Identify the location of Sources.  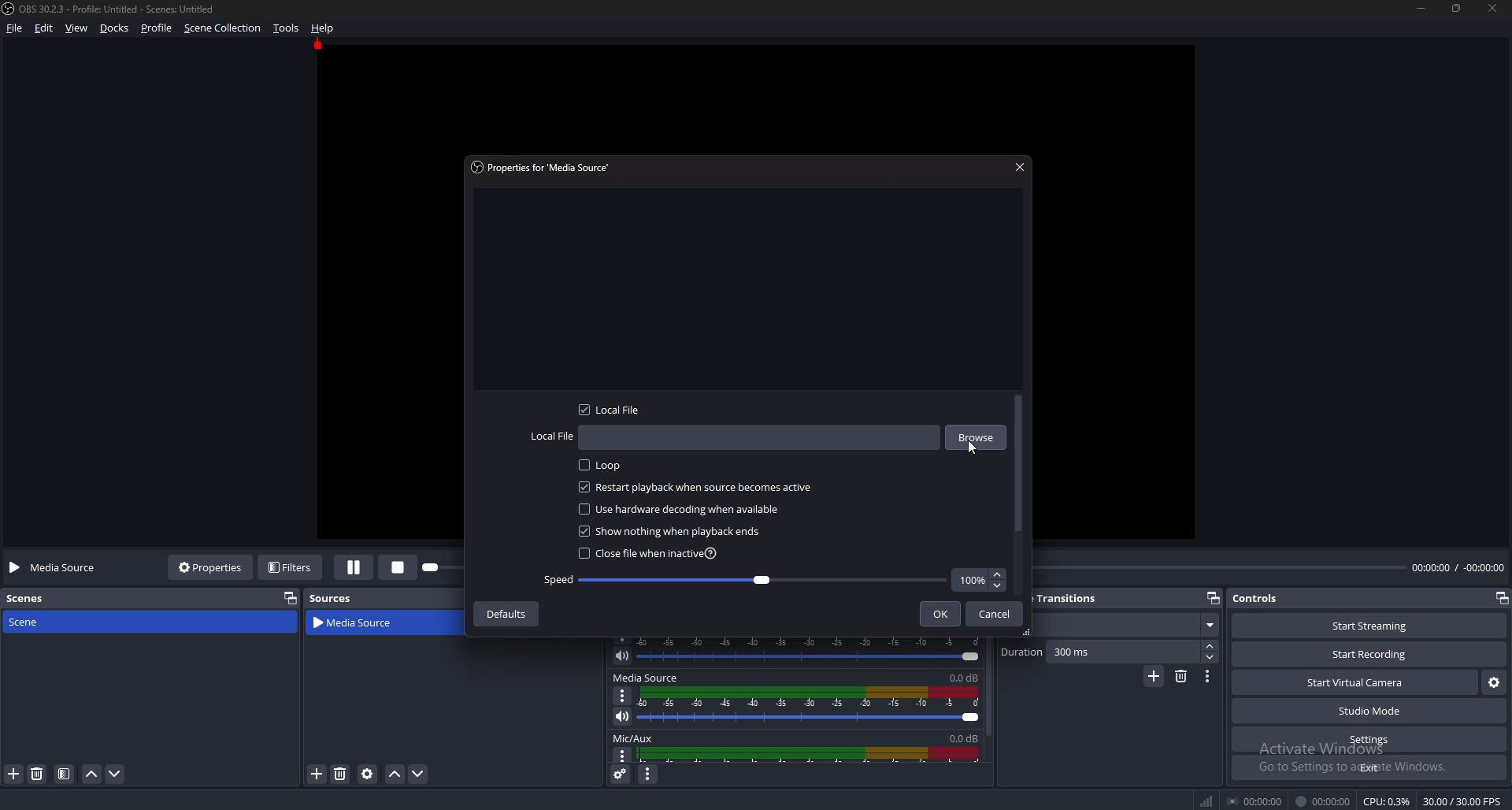
(331, 598).